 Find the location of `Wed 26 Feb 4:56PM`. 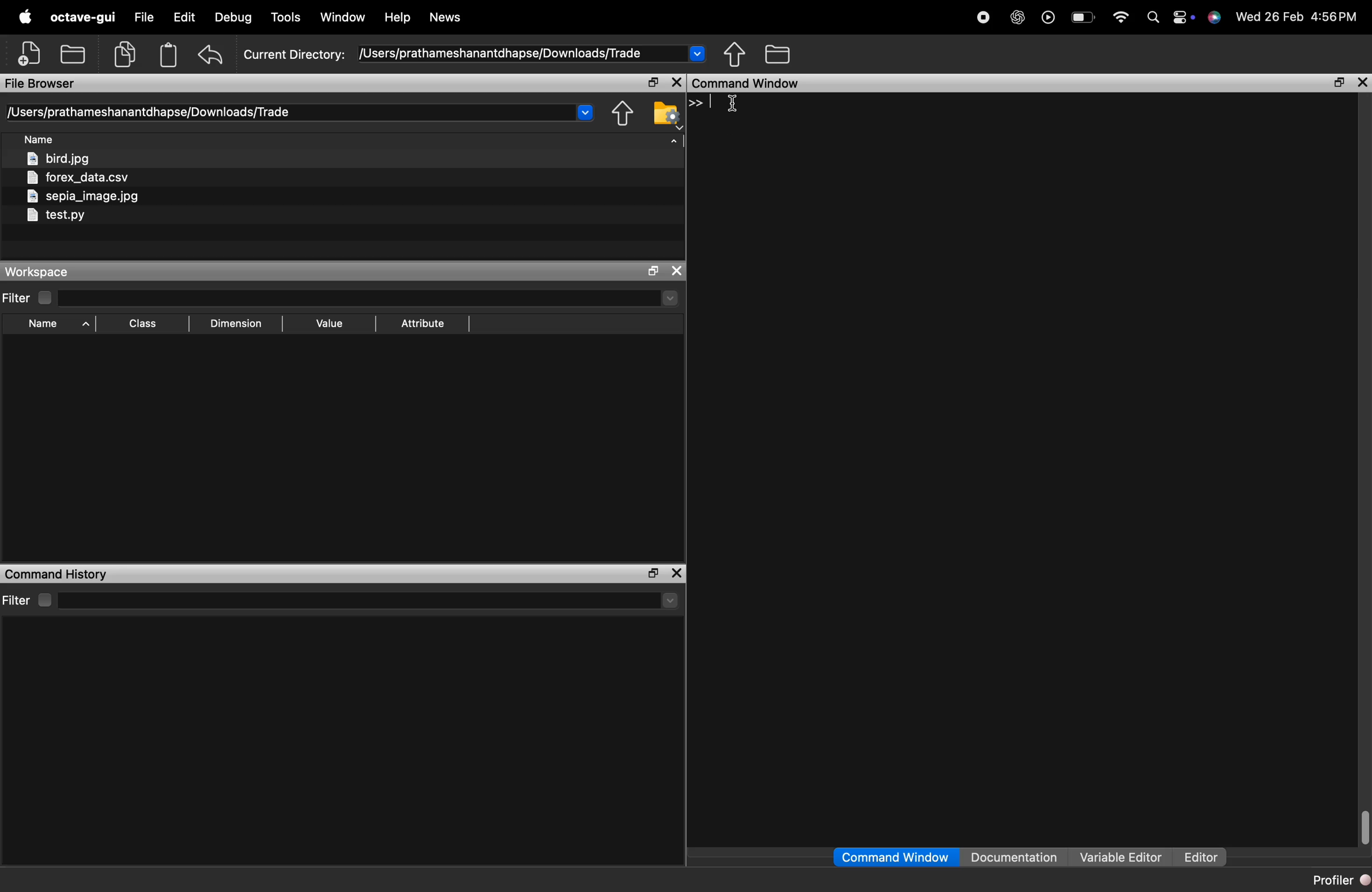

Wed 26 Feb 4:56PM is located at coordinates (1297, 17).